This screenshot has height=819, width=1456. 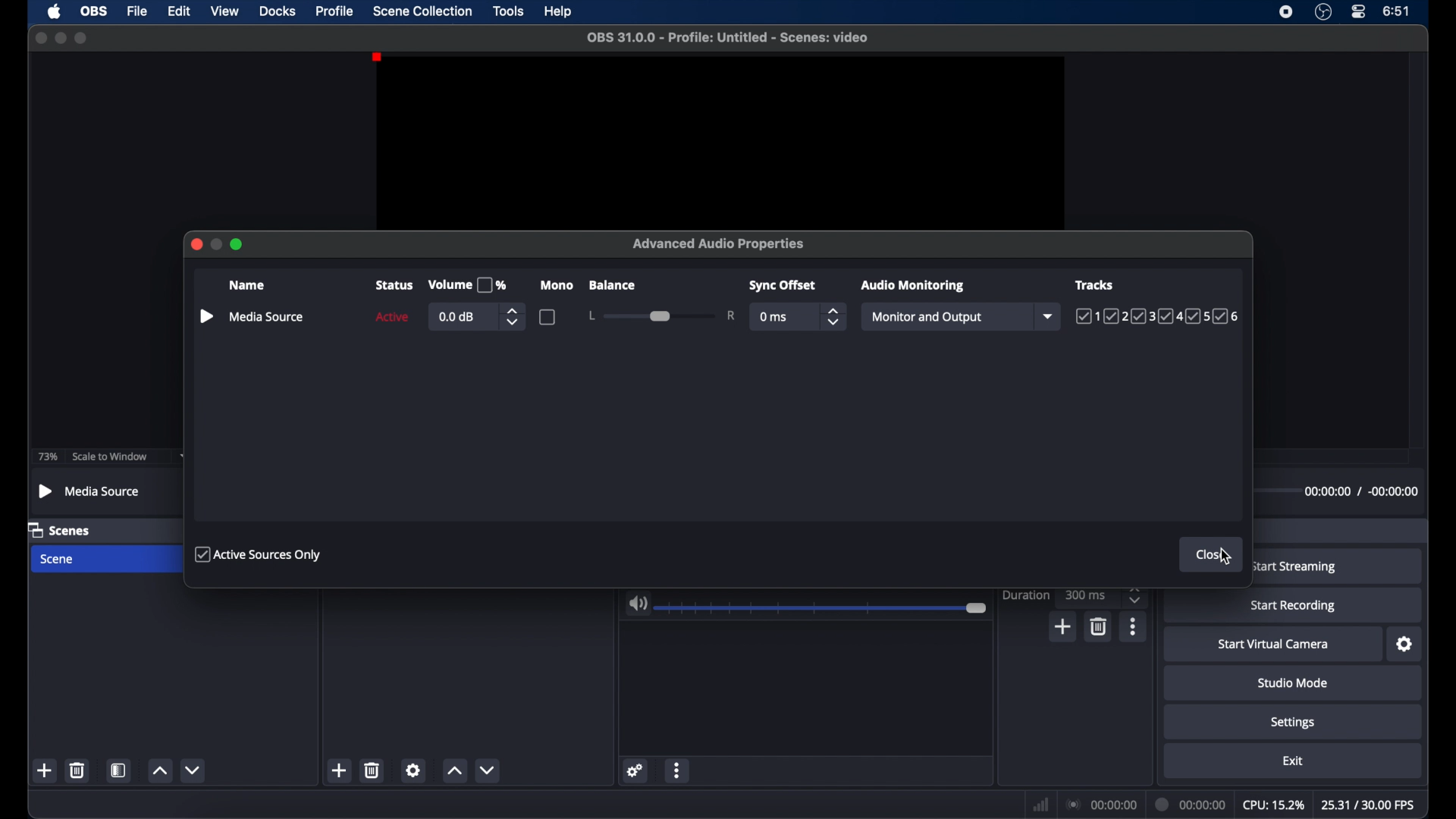 I want to click on studio mode, so click(x=1291, y=682).